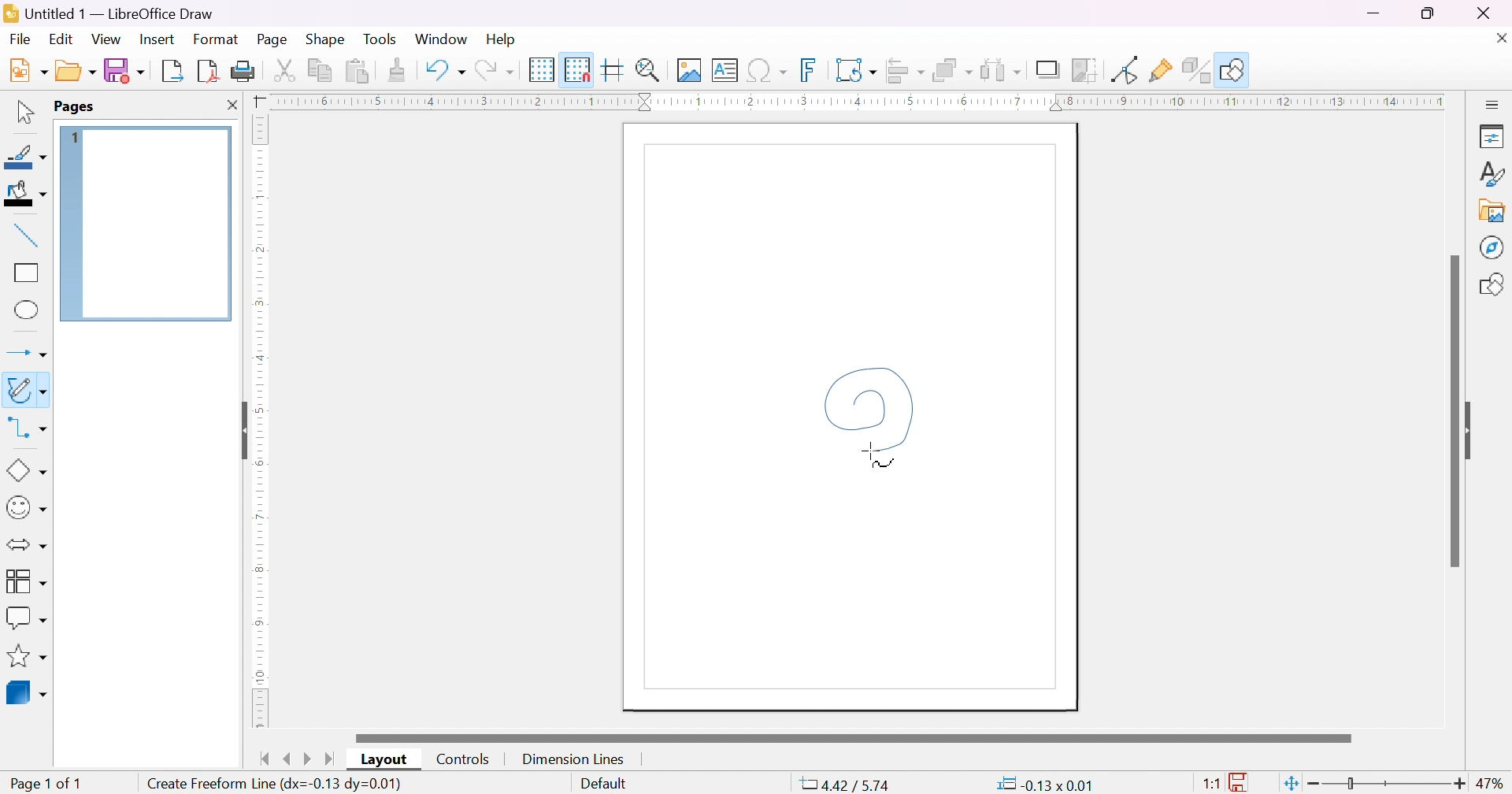 This screenshot has width=1512, height=794. I want to click on print, so click(245, 72).